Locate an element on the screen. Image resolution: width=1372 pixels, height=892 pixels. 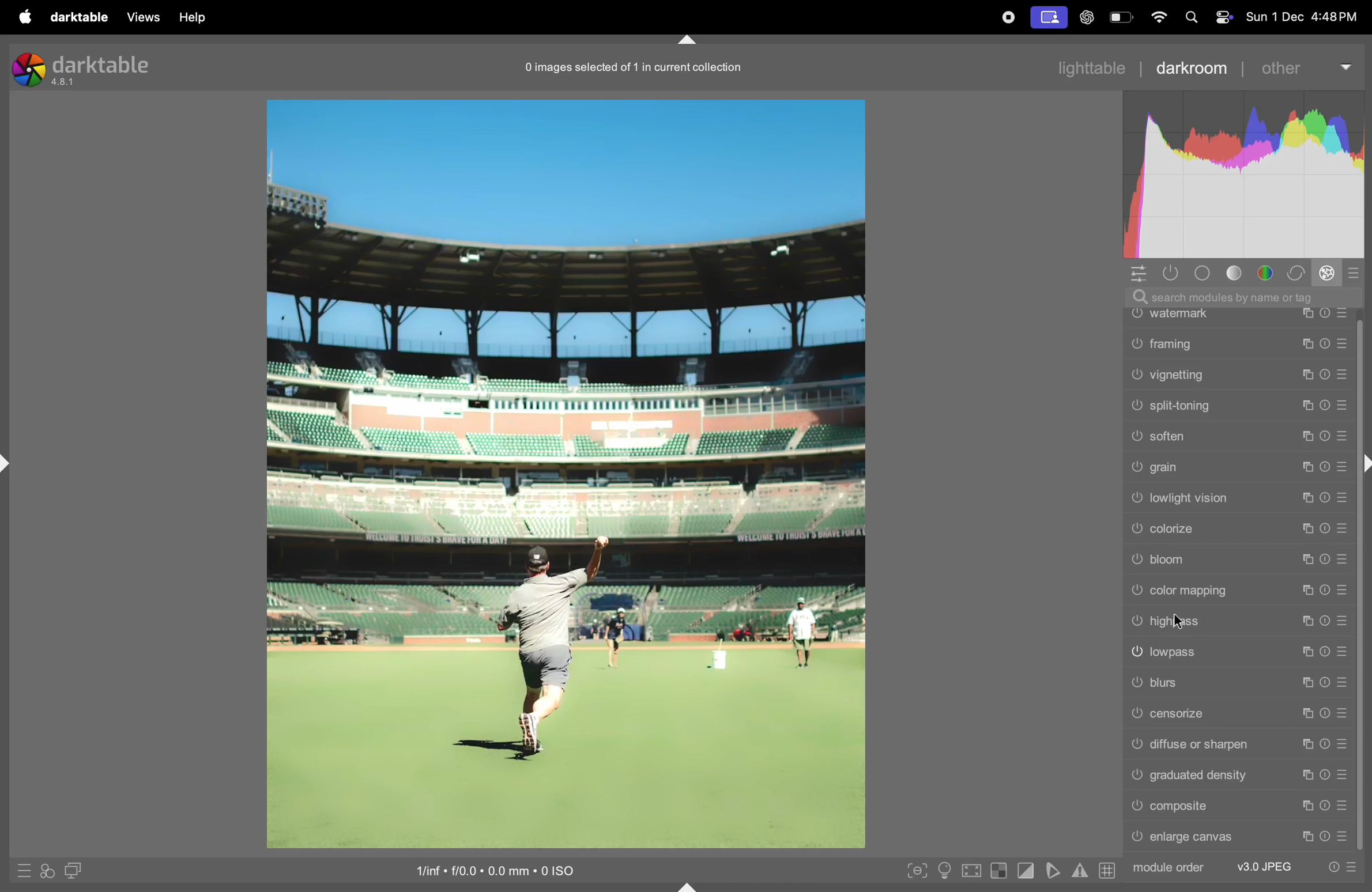
record is located at coordinates (1046, 17).